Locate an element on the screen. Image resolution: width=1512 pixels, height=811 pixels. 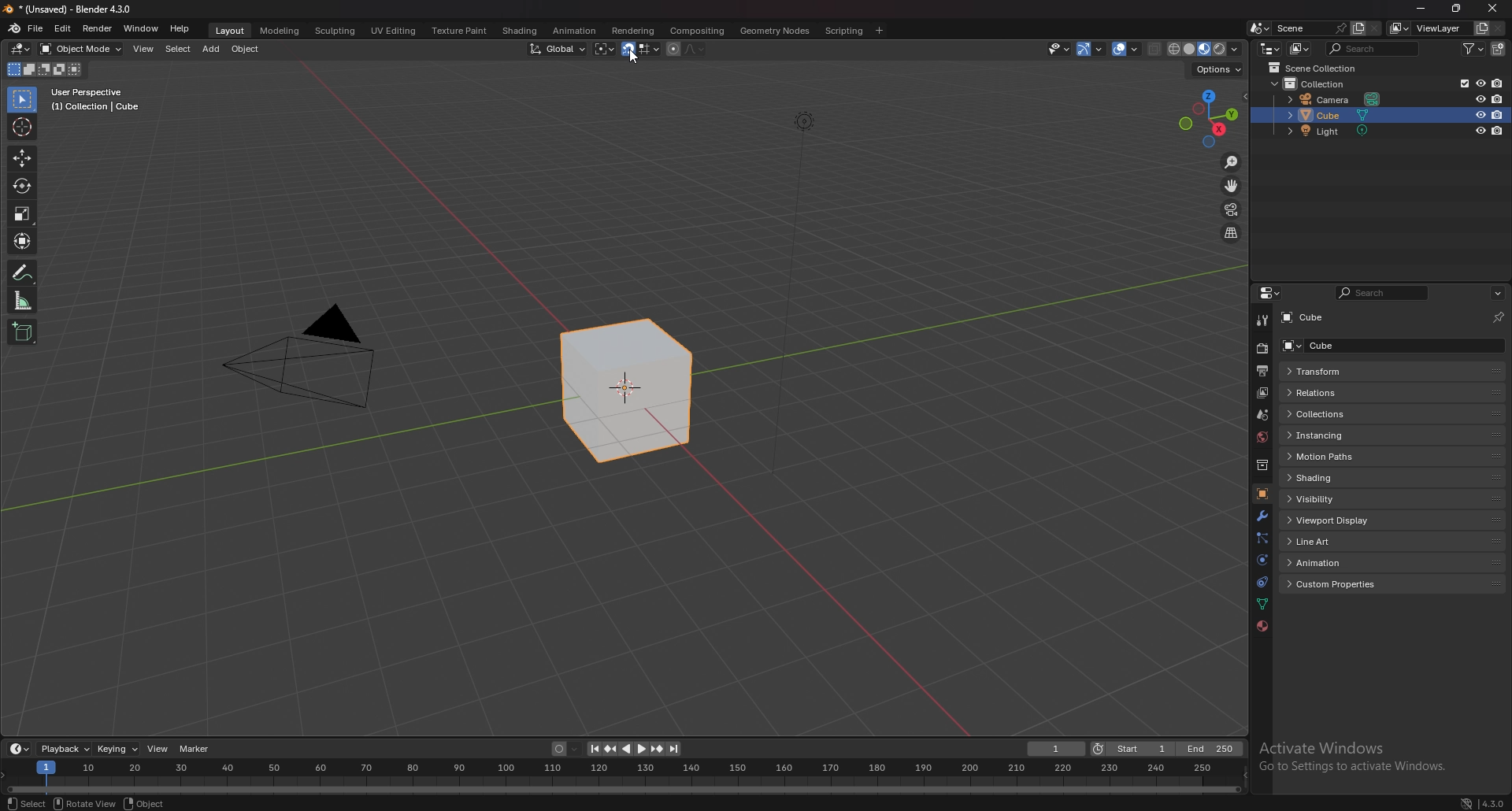
disable in renders is located at coordinates (1499, 114).